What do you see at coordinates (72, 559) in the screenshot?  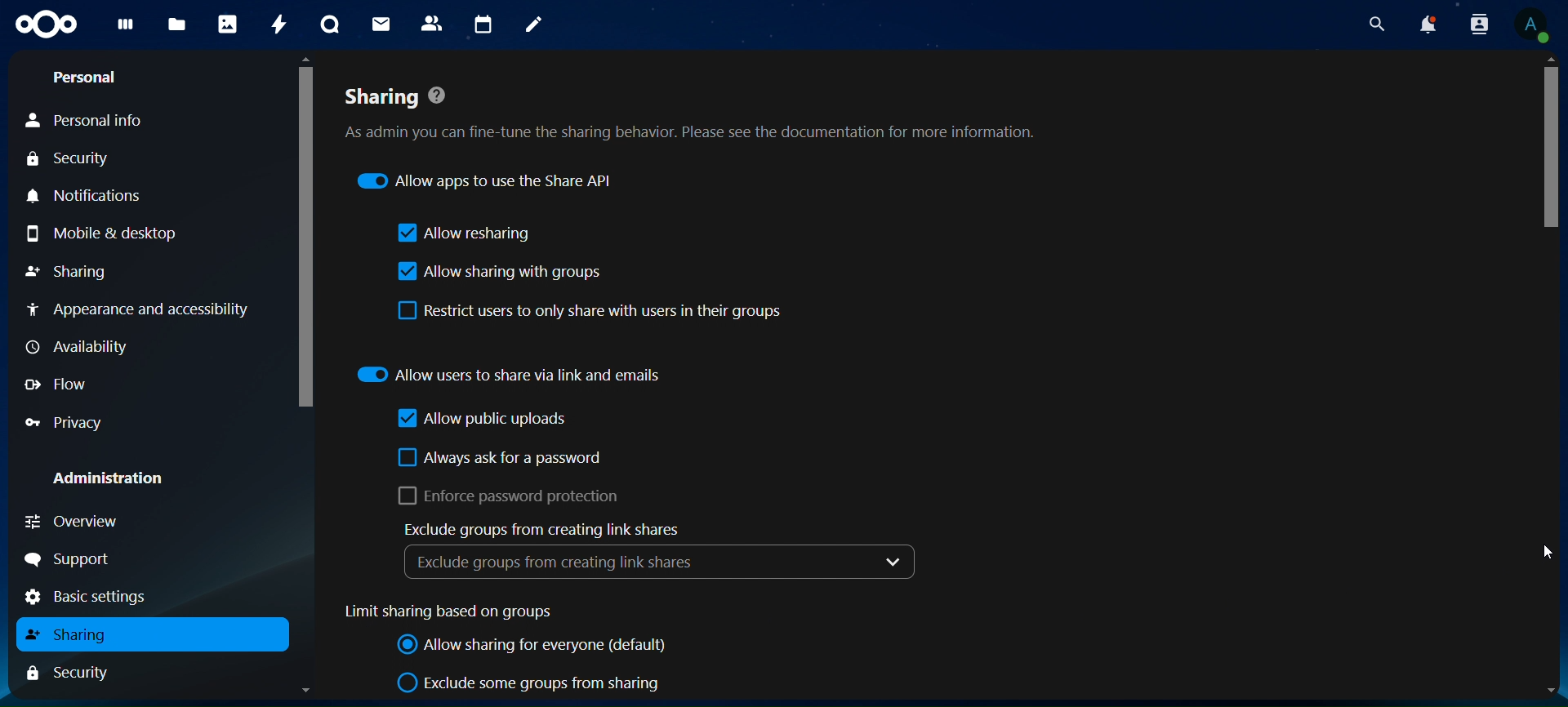 I see `support` at bounding box center [72, 559].